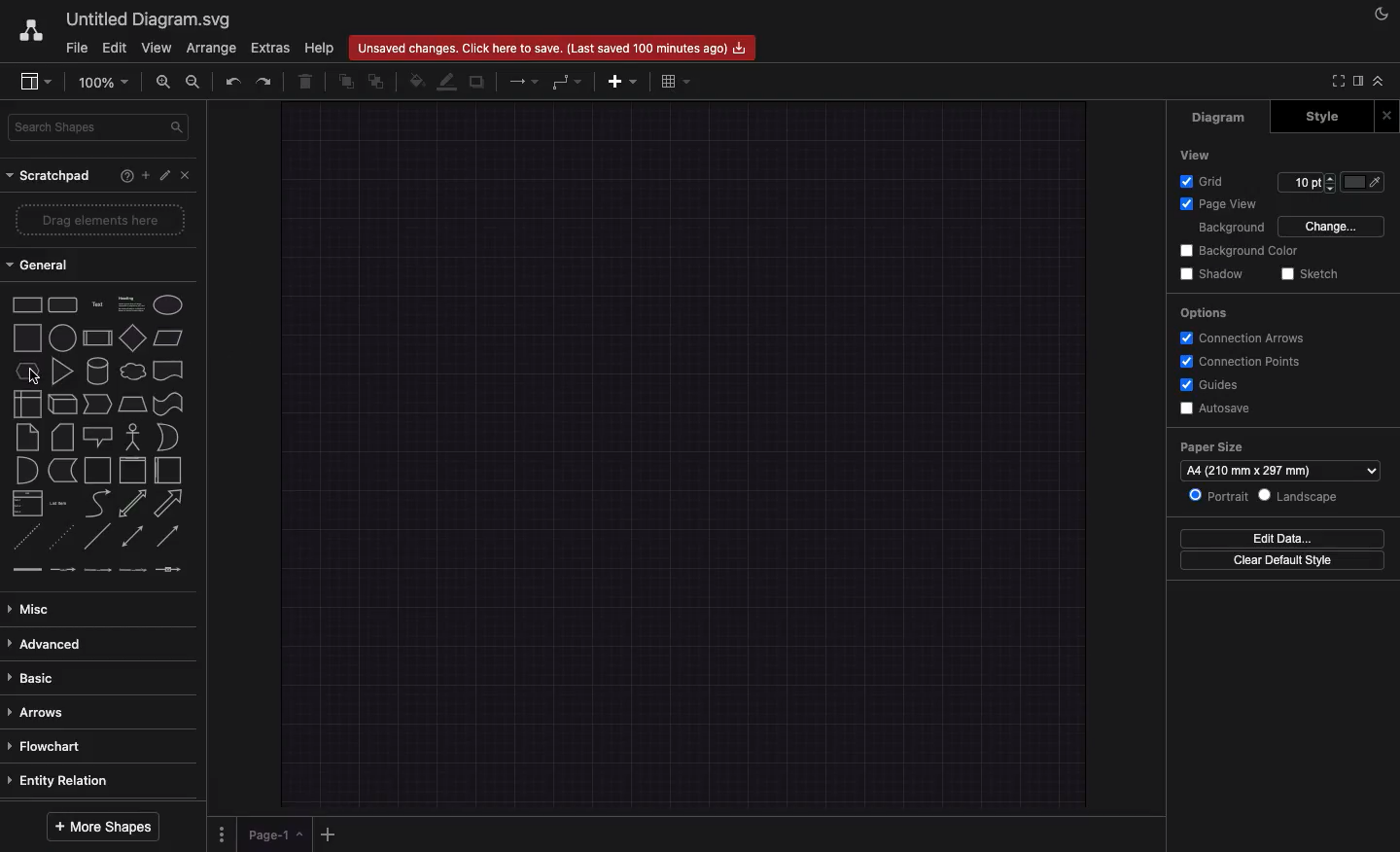 The image size is (1400, 852). I want to click on Paper size, so click(1281, 447).